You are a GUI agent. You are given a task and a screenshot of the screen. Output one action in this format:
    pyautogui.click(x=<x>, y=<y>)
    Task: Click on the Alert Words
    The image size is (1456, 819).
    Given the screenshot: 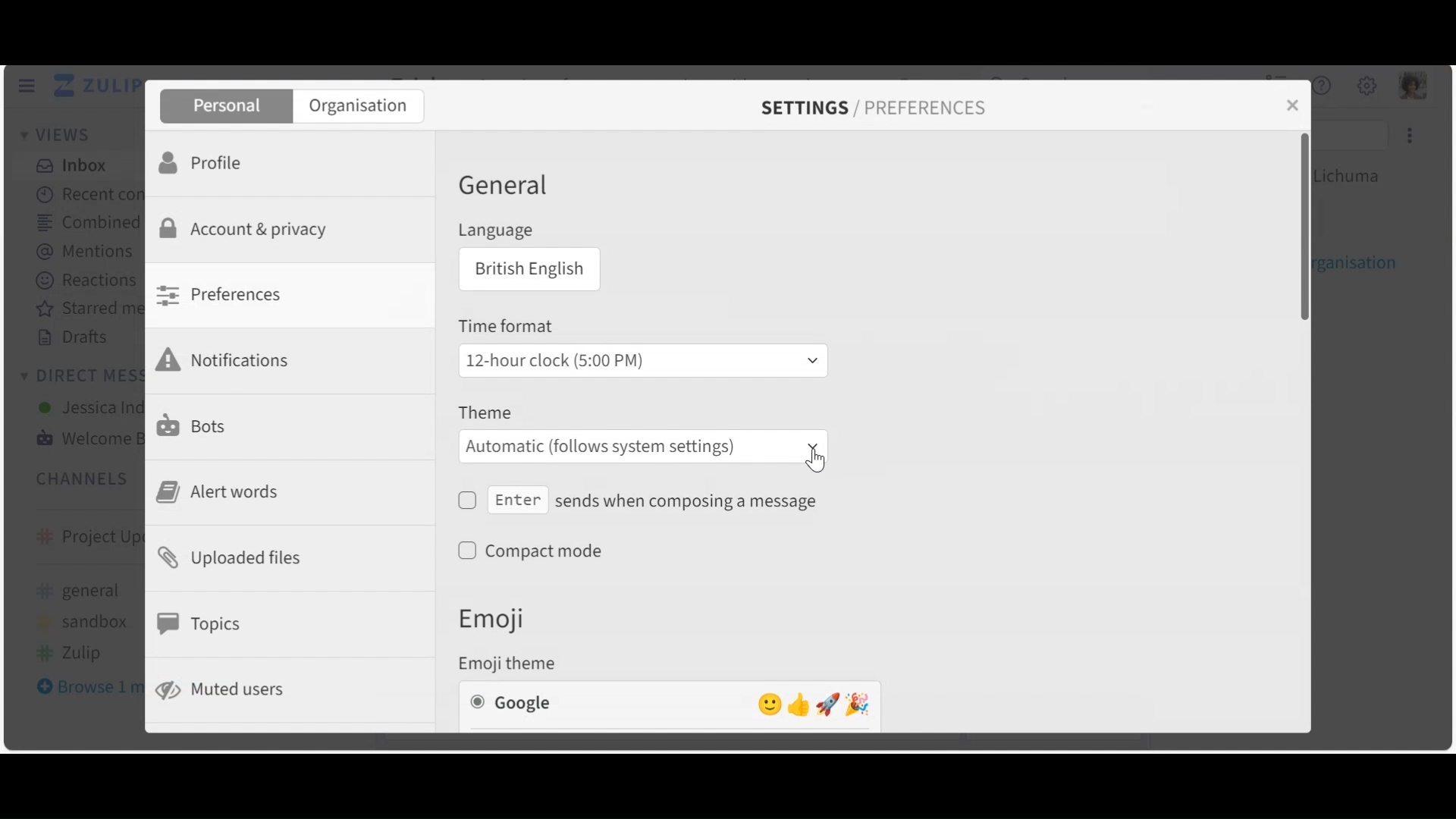 What is the action you would take?
    pyautogui.click(x=220, y=492)
    